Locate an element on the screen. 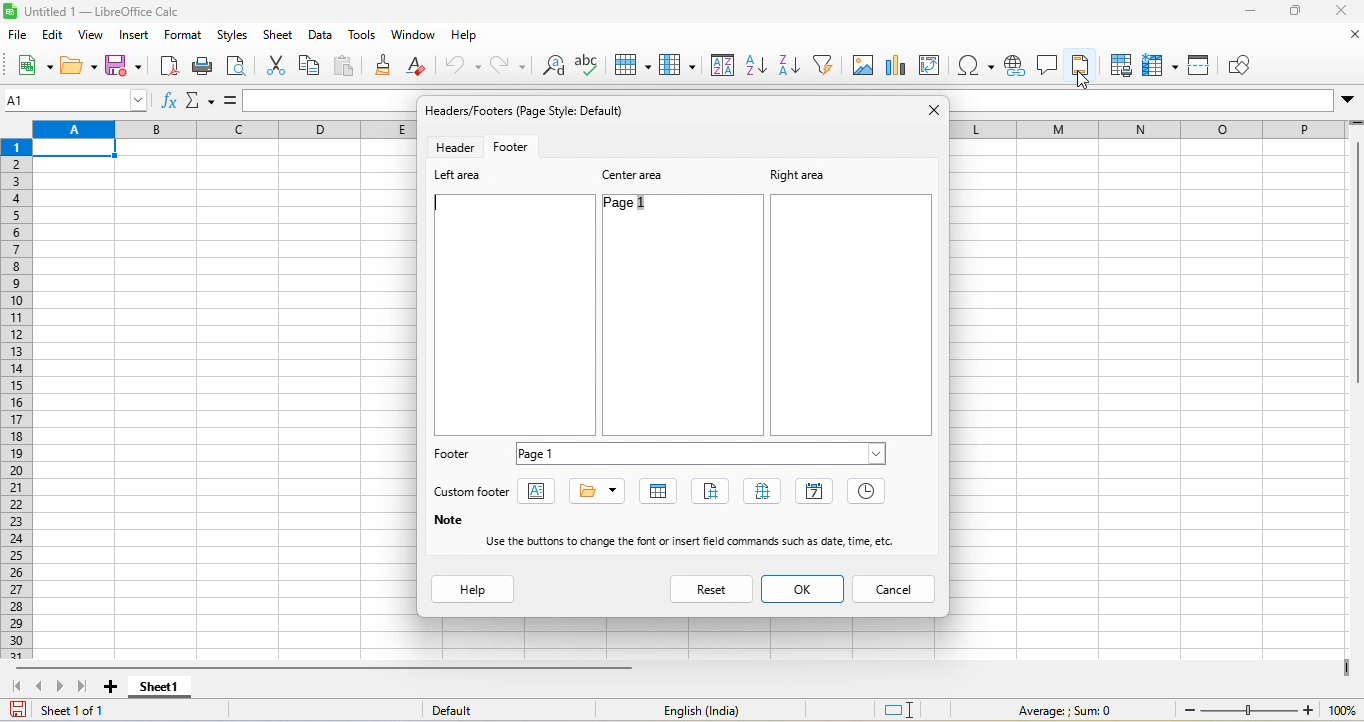  styles is located at coordinates (233, 38).